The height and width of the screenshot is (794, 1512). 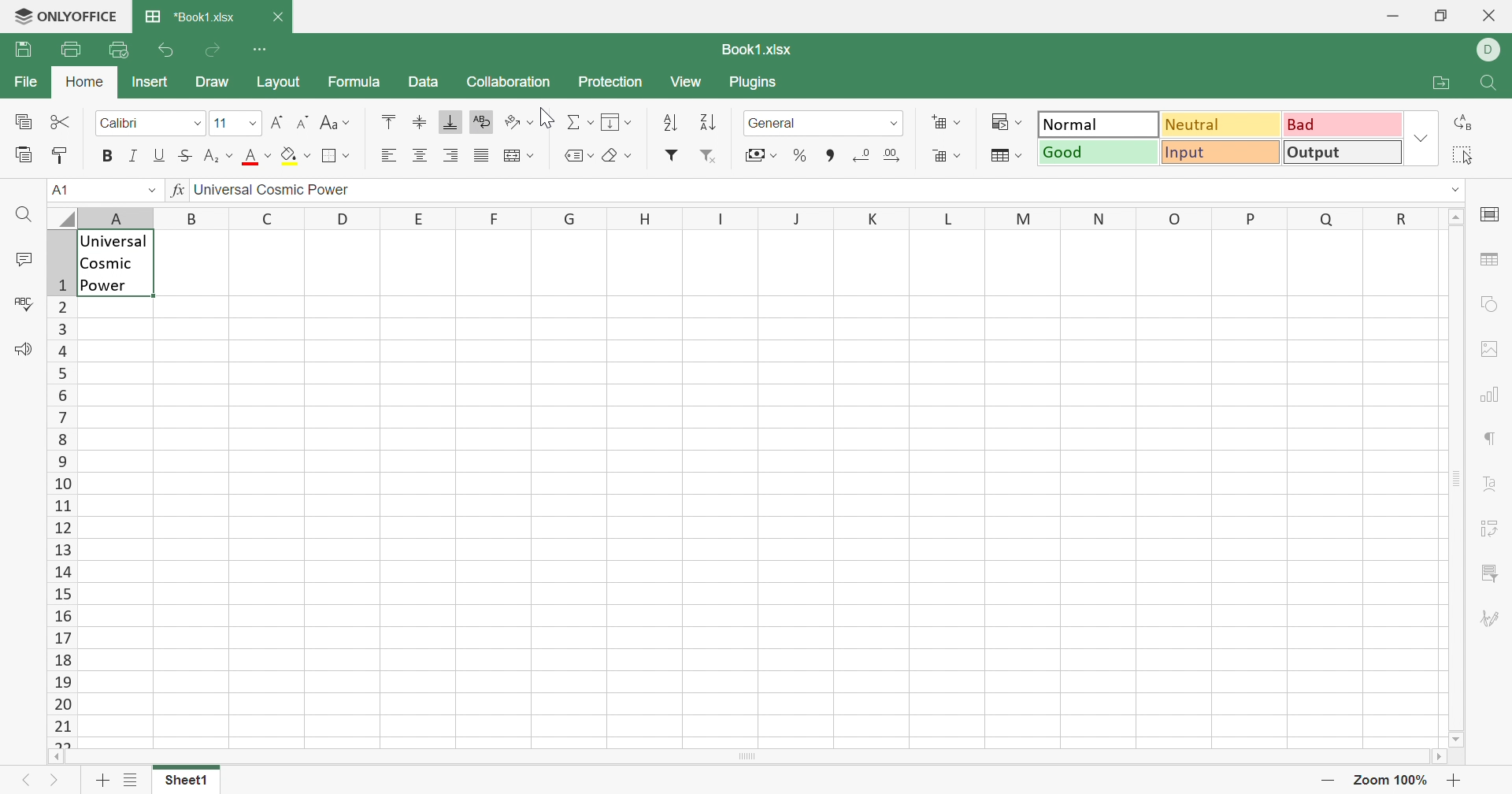 What do you see at coordinates (306, 121) in the screenshot?
I see `Decrement font size` at bounding box center [306, 121].